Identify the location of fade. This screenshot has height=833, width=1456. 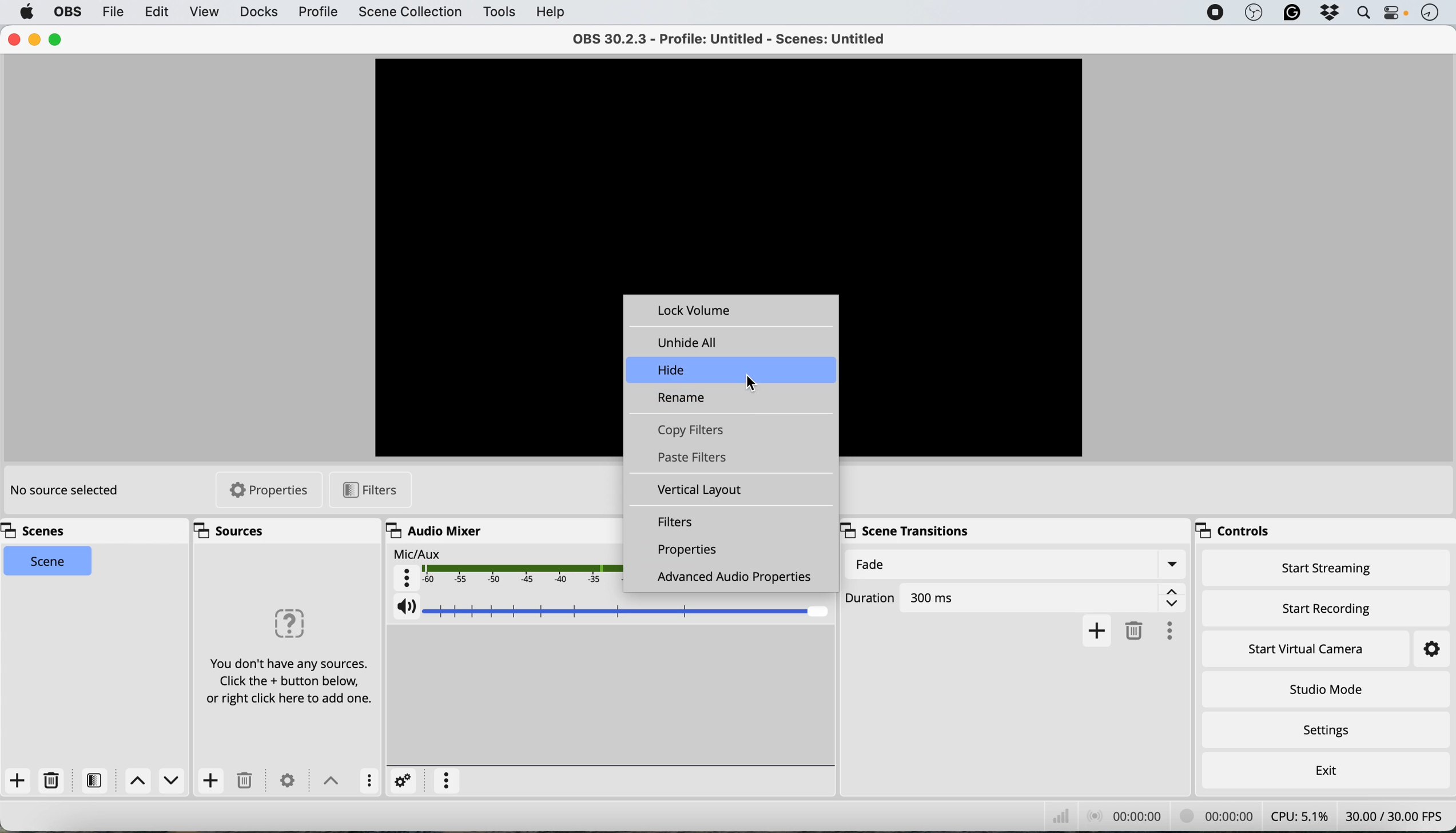
(1016, 564).